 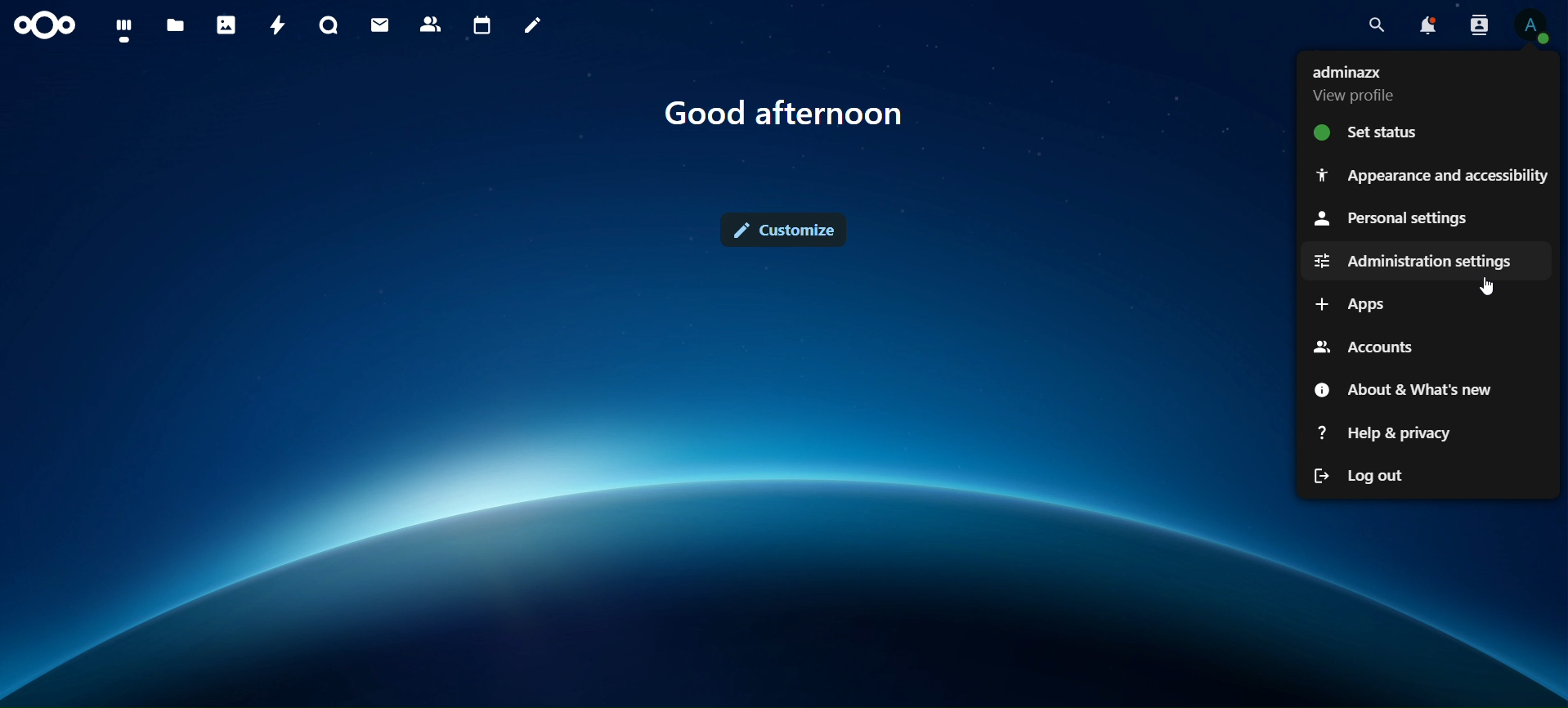 What do you see at coordinates (1429, 23) in the screenshot?
I see `notifications` at bounding box center [1429, 23].